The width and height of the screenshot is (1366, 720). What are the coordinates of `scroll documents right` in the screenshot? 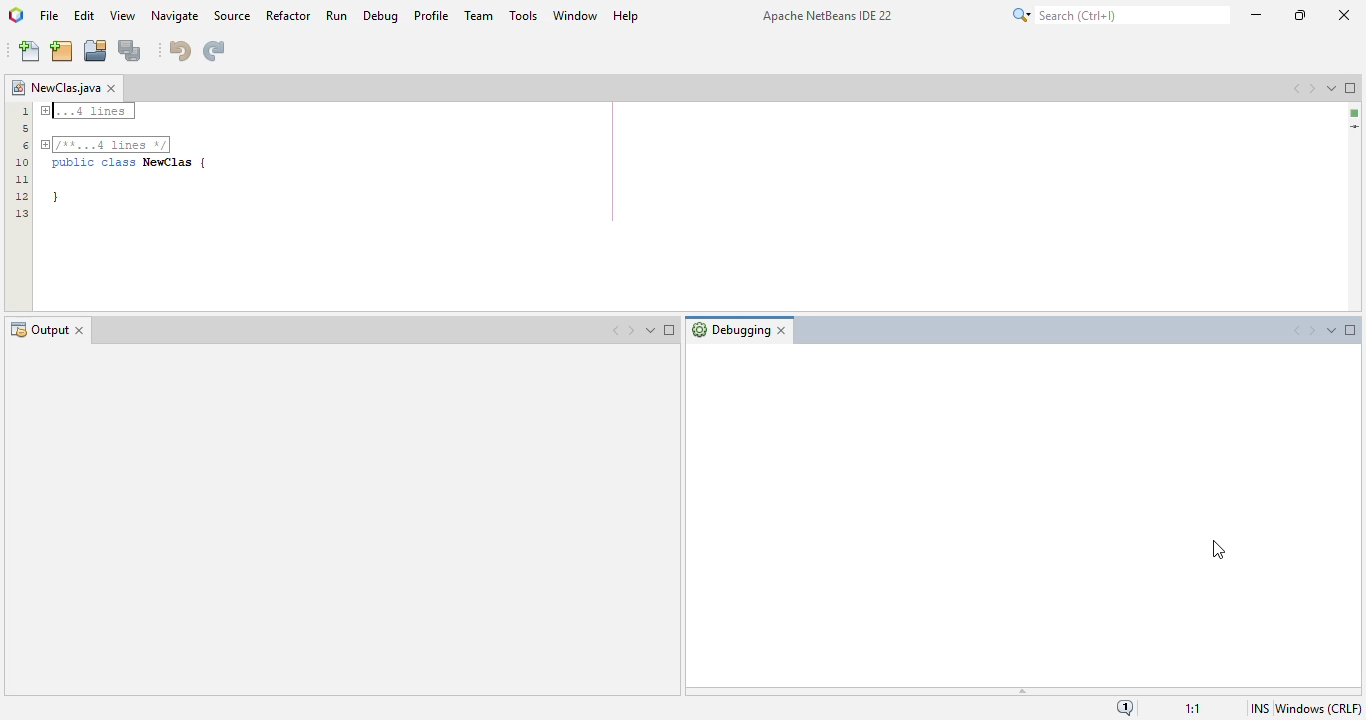 It's located at (1310, 89).